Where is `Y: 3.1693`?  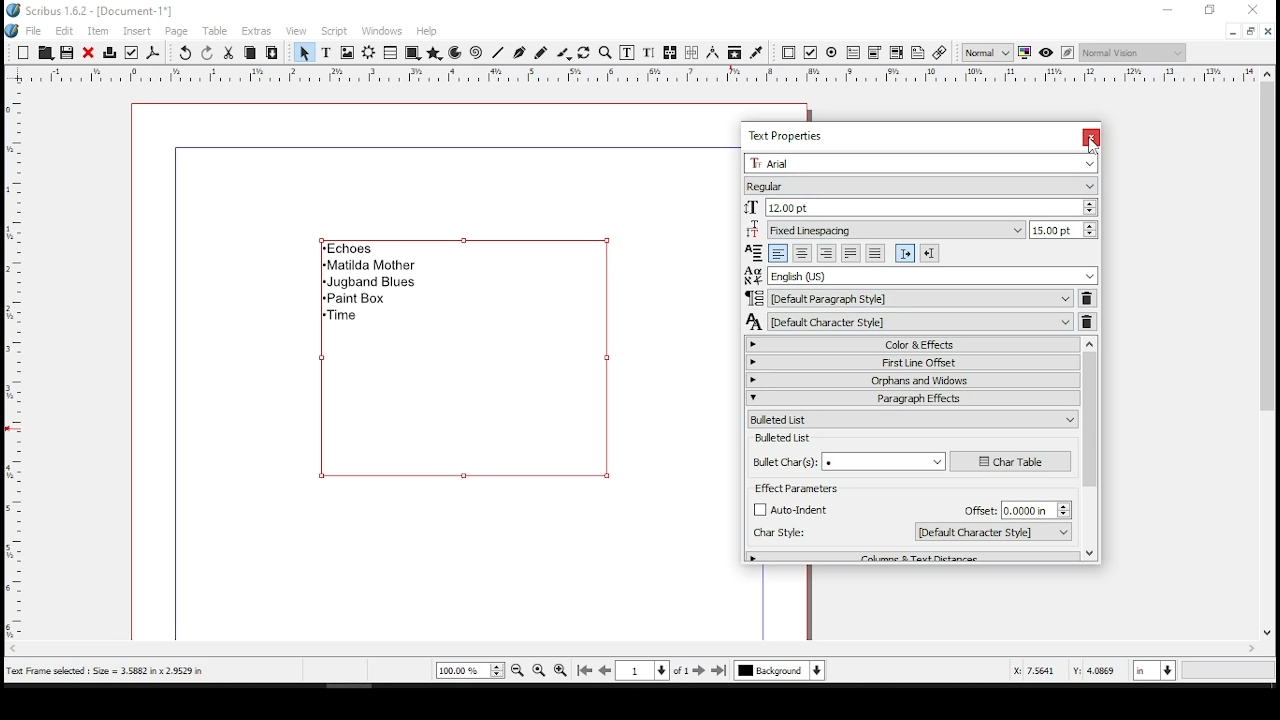
Y: 3.1693 is located at coordinates (1095, 671).